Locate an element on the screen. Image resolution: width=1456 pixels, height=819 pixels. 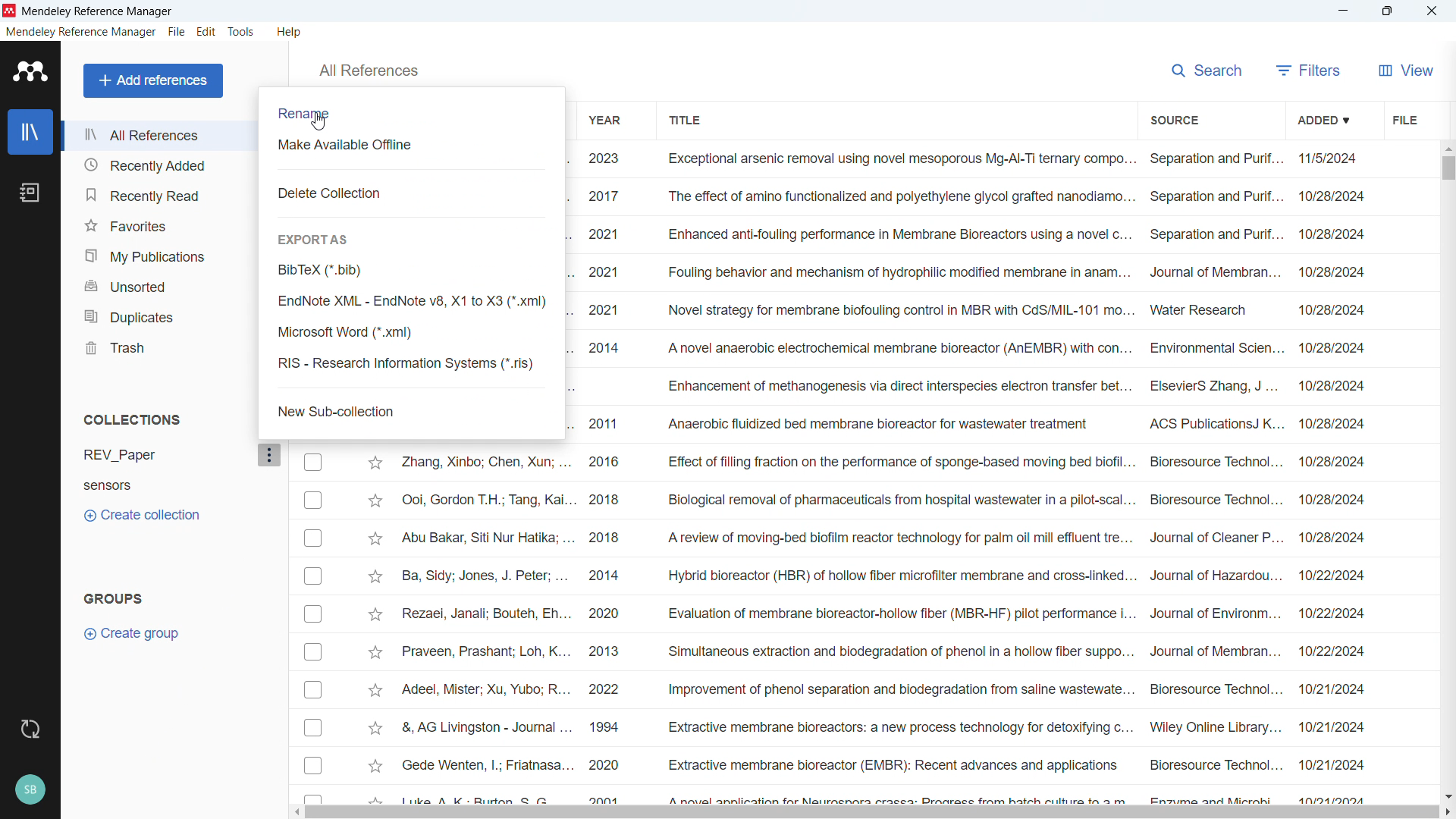
Unsorted  is located at coordinates (158, 285).